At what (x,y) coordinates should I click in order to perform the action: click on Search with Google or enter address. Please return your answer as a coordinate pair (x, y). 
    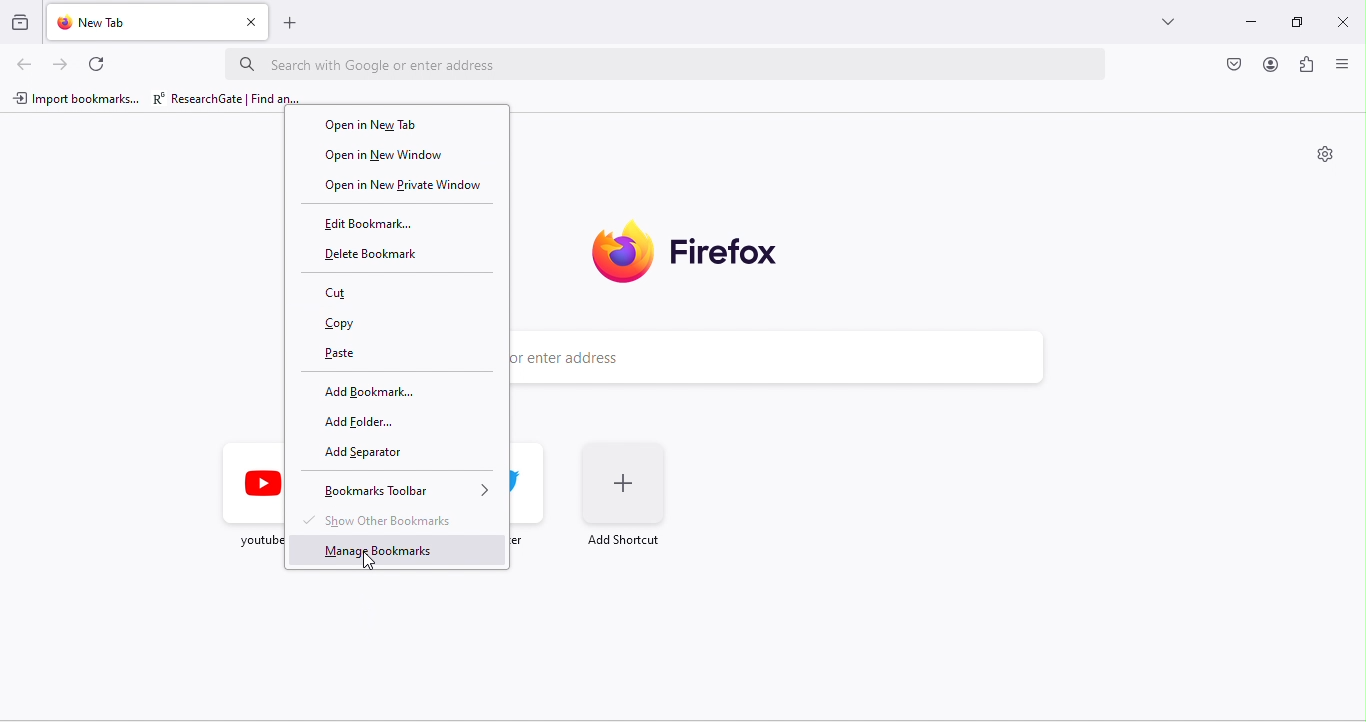
    Looking at the image, I should click on (778, 358).